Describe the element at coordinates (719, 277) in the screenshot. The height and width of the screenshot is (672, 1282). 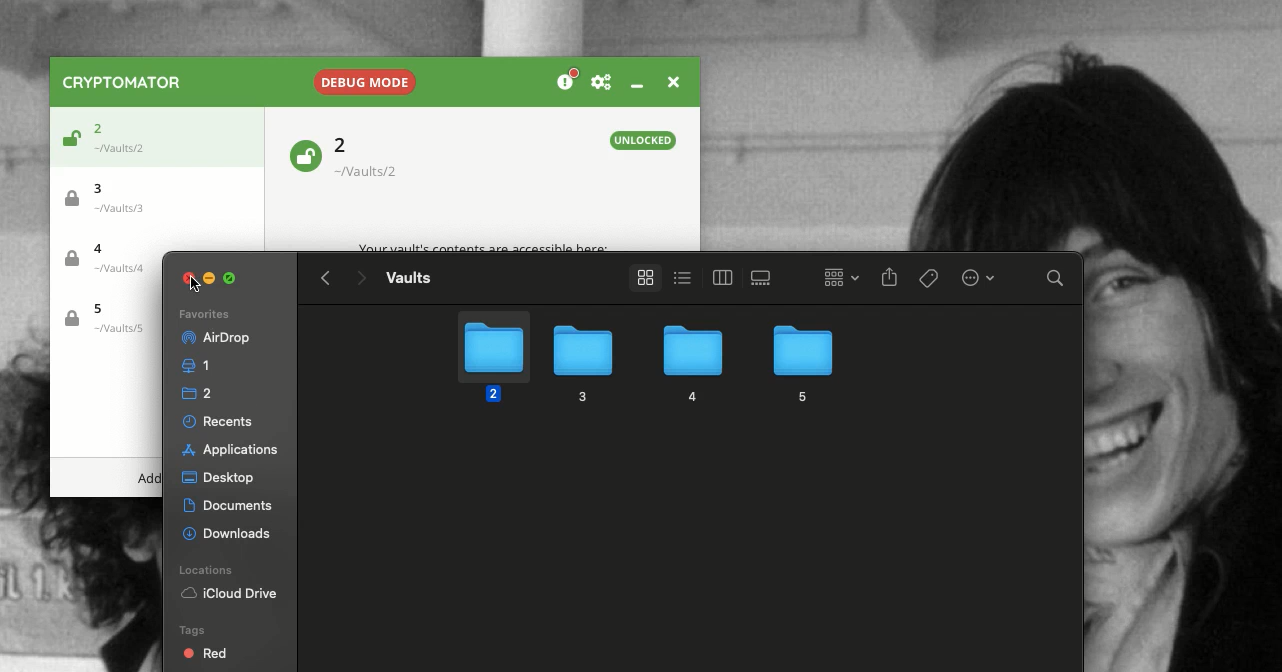
I see `View 2` at that location.